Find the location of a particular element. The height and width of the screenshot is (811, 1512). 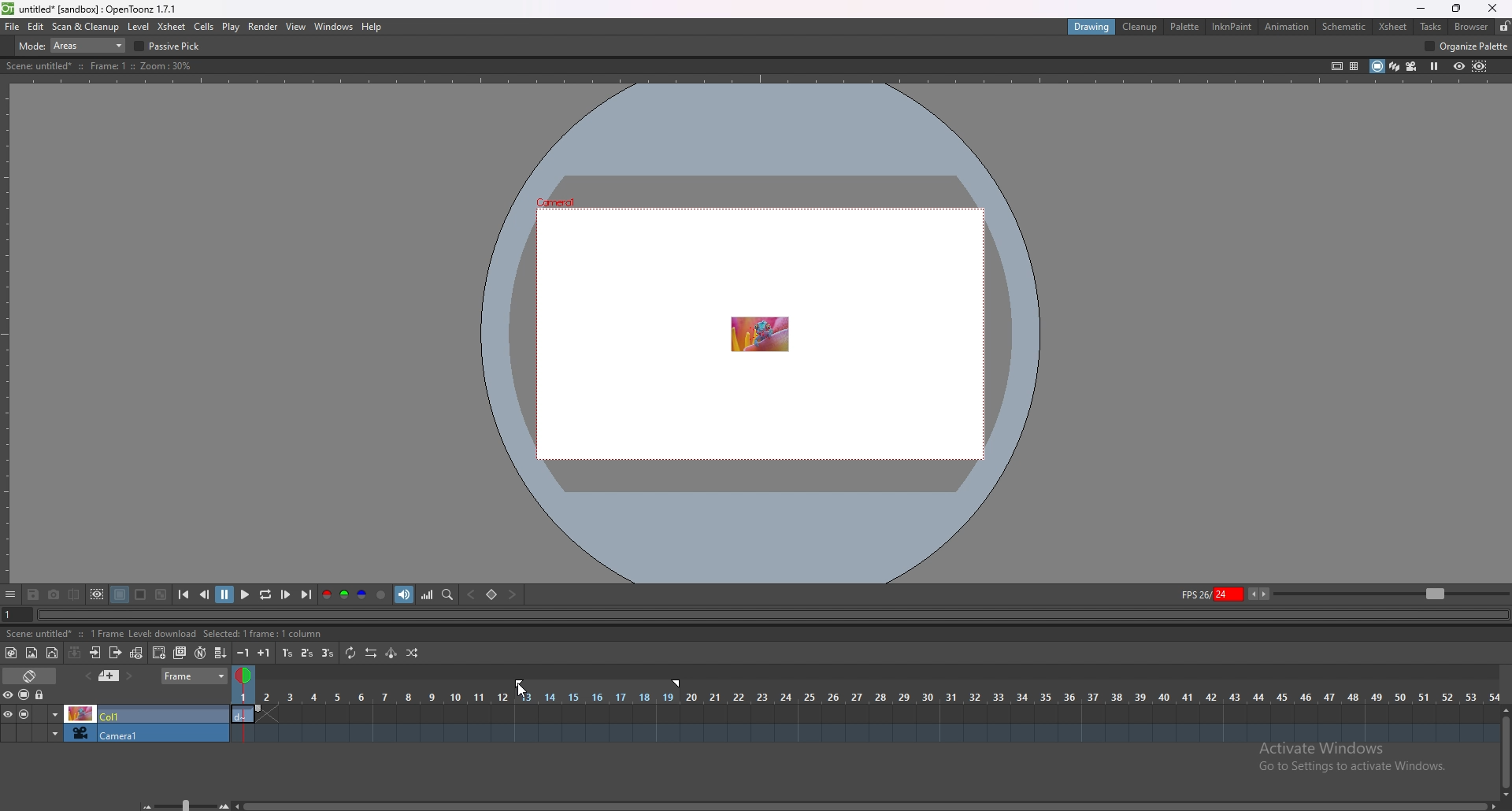

help is located at coordinates (371, 27).